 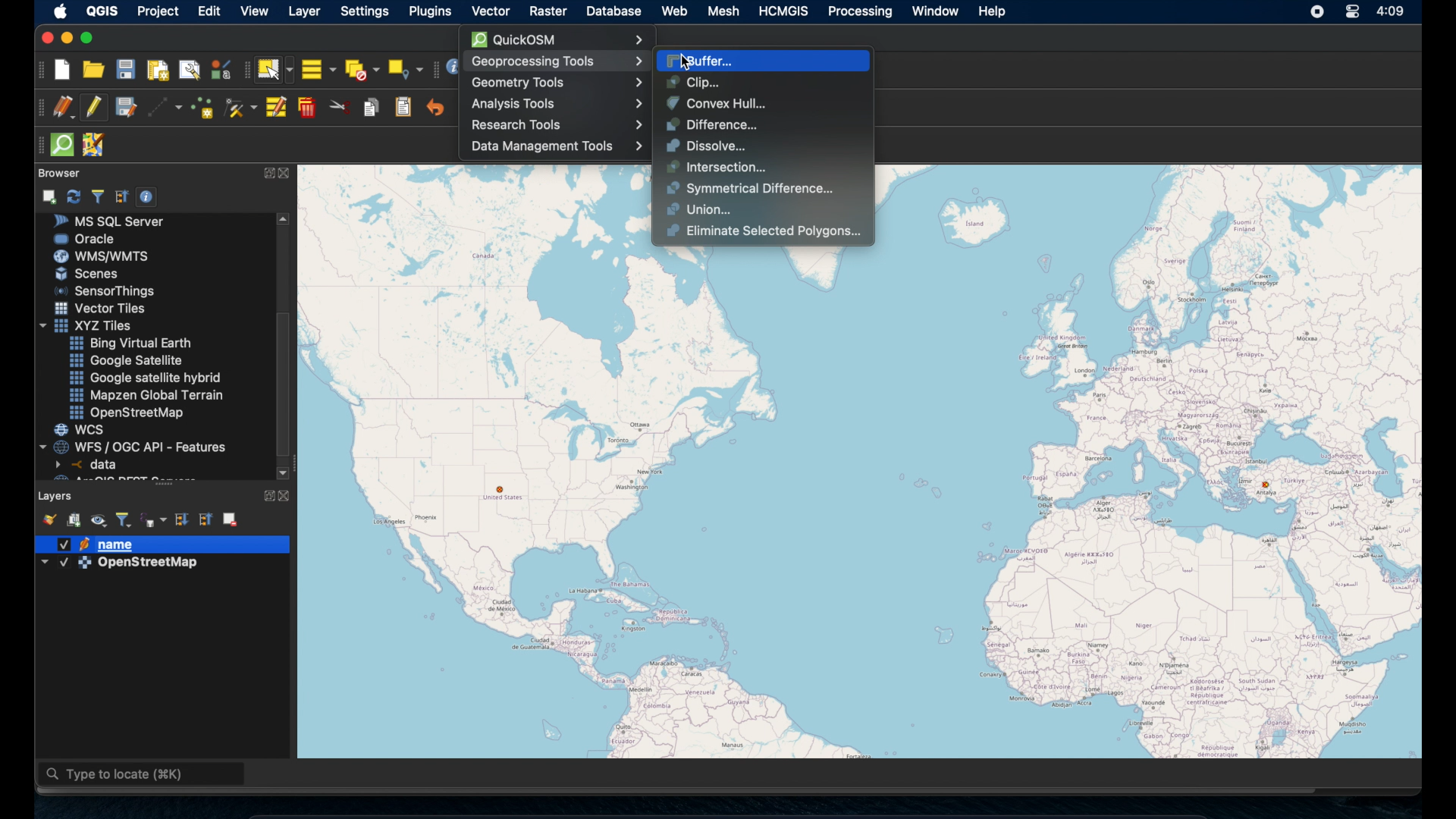 I want to click on scroll down arrow, so click(x=283, y=471).